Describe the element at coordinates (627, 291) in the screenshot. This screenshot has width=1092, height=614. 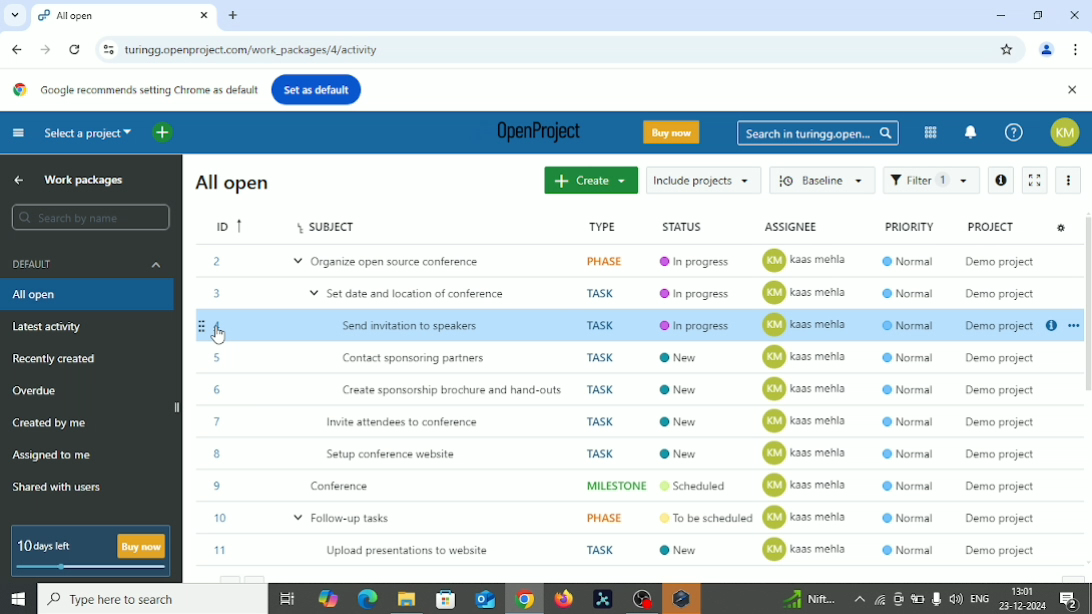
I see `task:  Set date and location of conference` at that location.